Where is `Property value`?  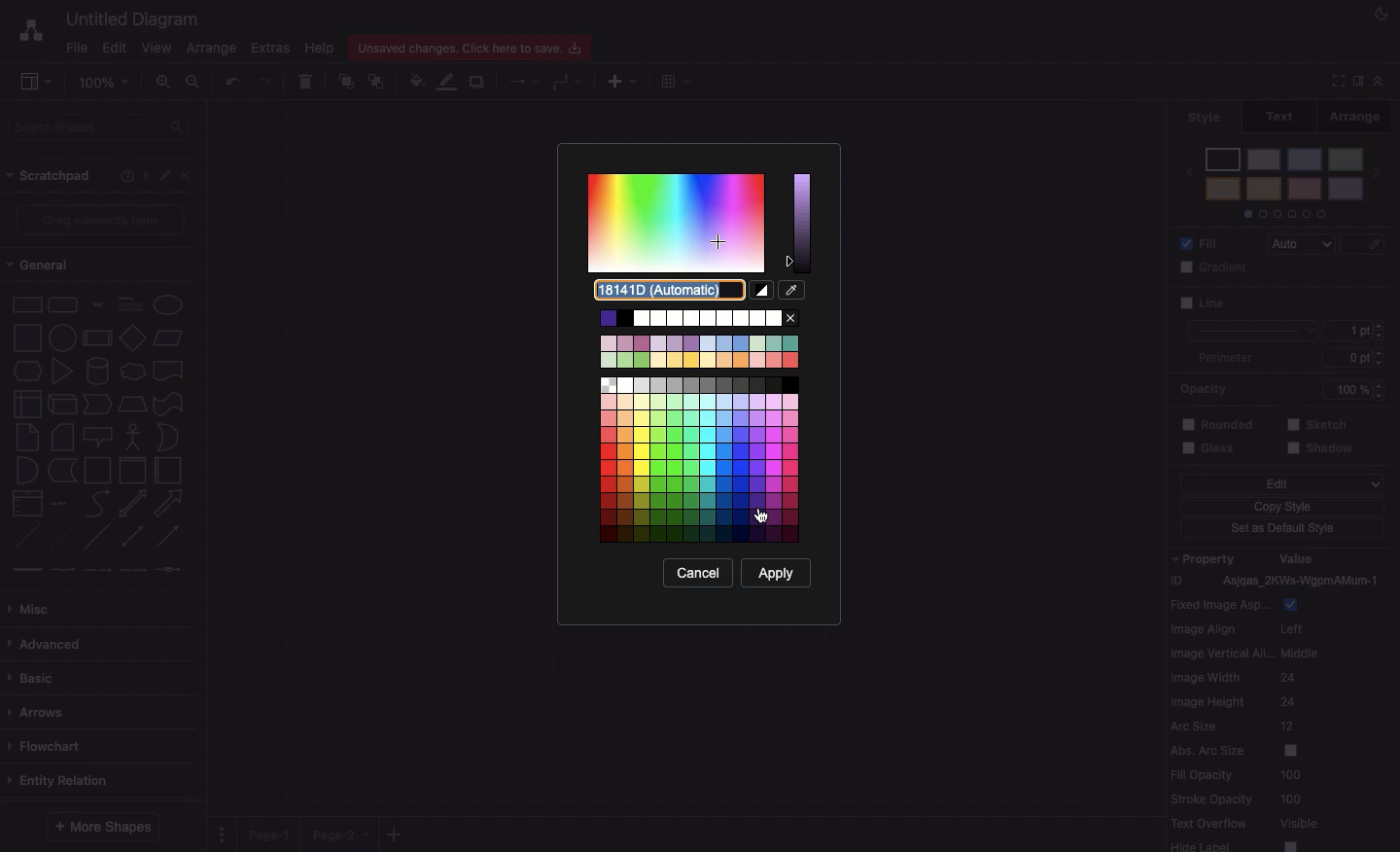
Property value is located at coordinates (1283, 700).